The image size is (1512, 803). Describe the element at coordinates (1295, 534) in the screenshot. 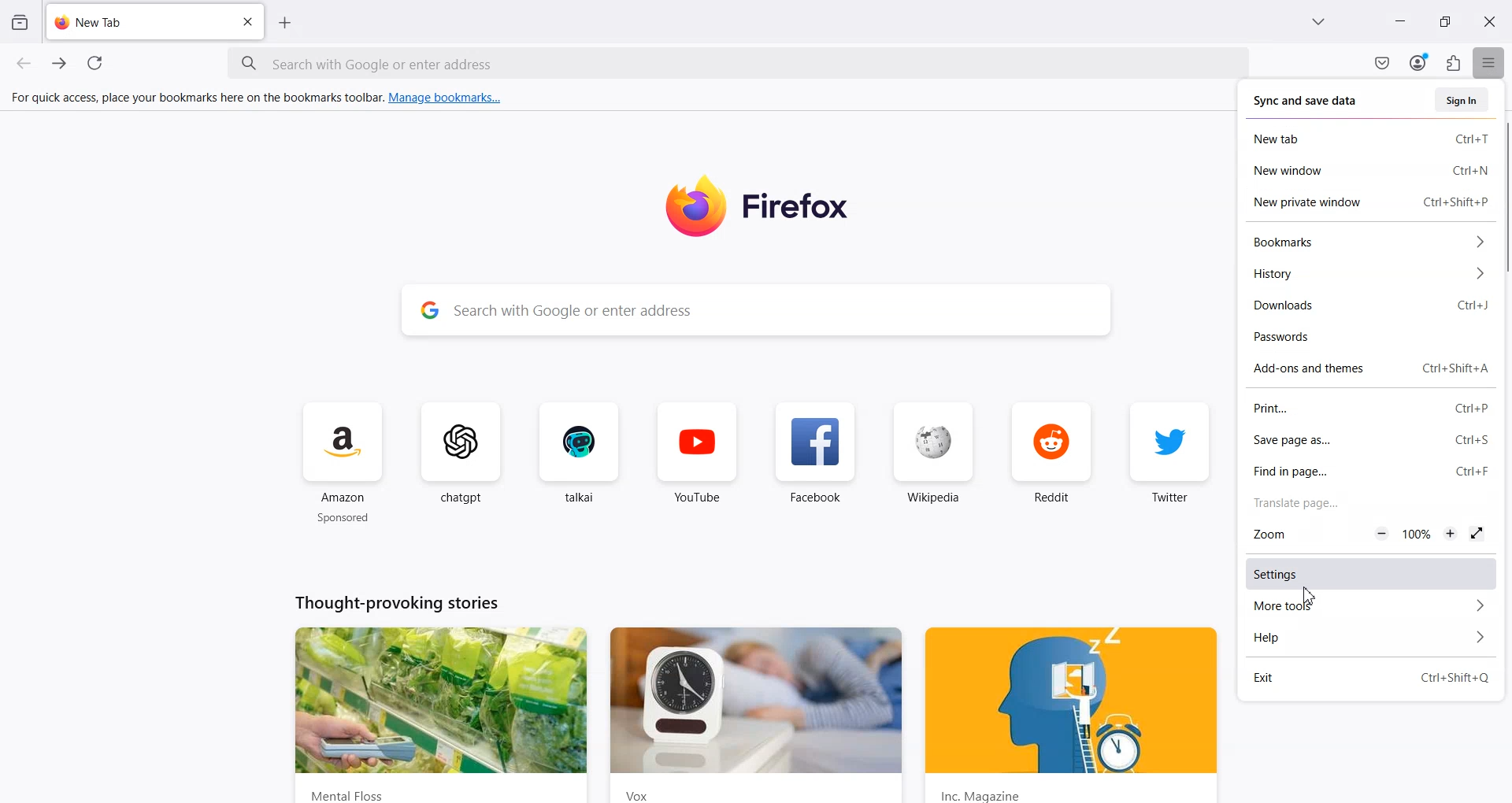

I see `Zoom` at that location.